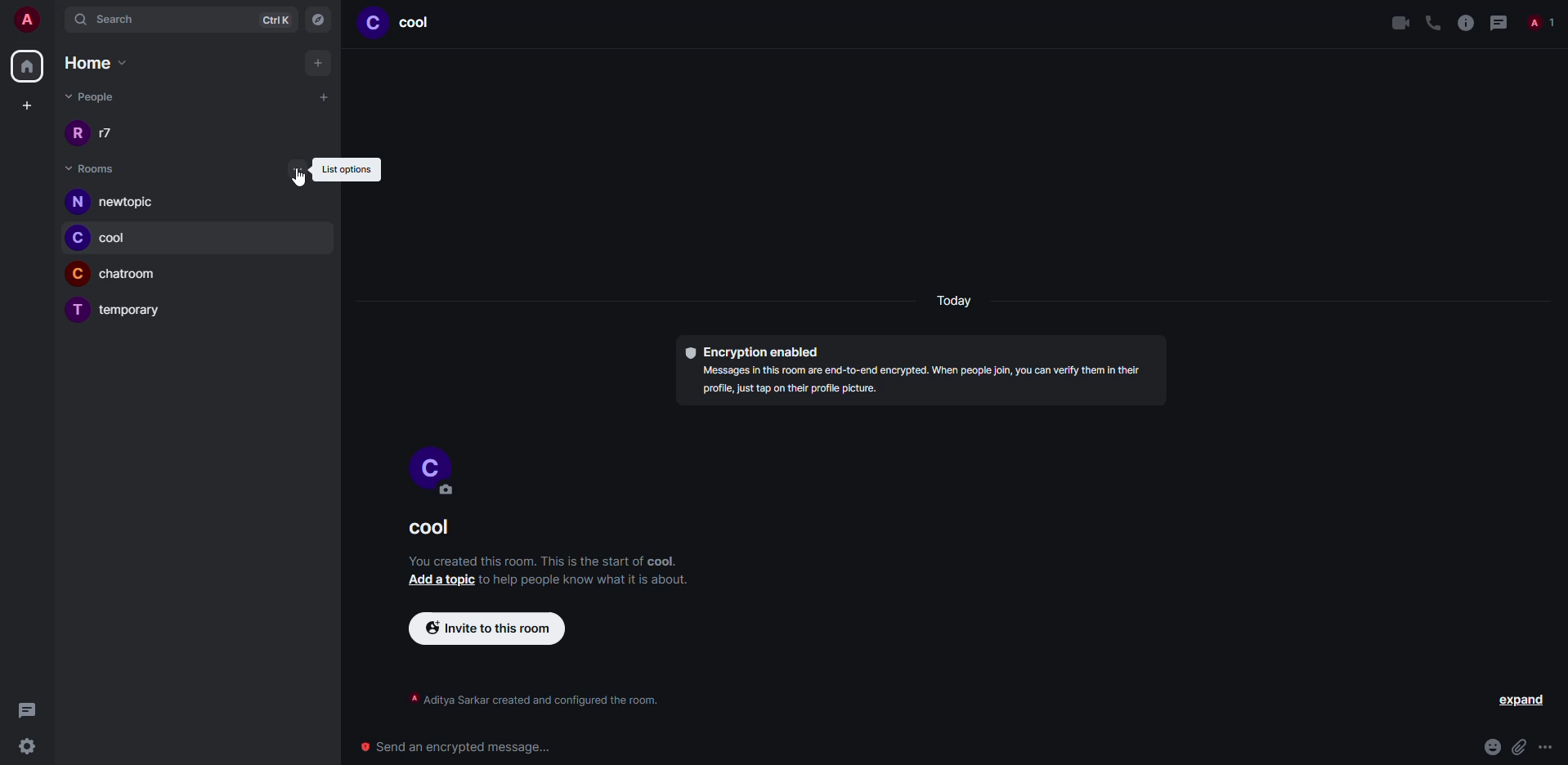  Describe the element at coordinates (92, 168) in the screenshot. I see `rooms` at that location.